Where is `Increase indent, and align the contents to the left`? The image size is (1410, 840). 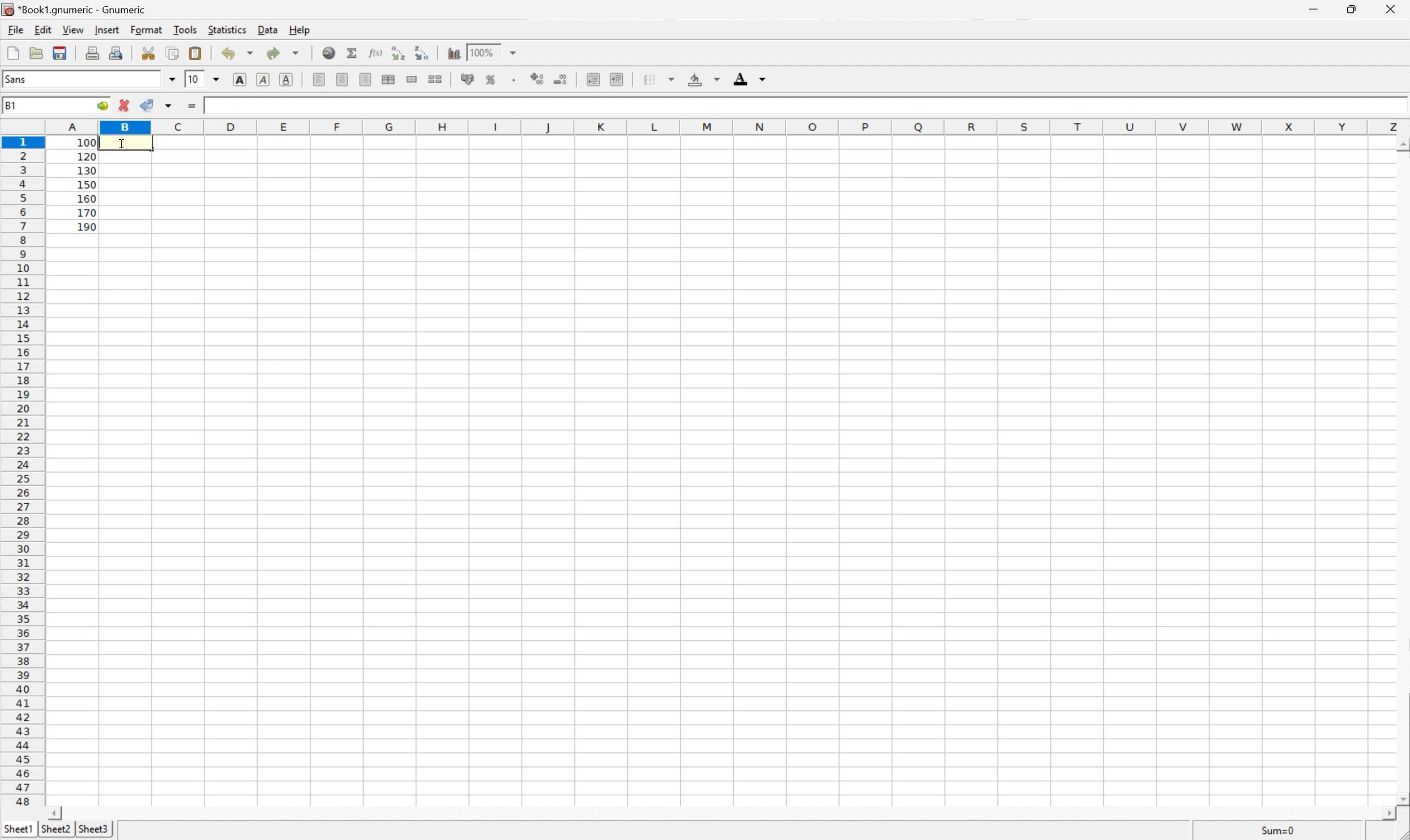 Increase indent, and align the contents to the left is located at coordinates (619, 80).